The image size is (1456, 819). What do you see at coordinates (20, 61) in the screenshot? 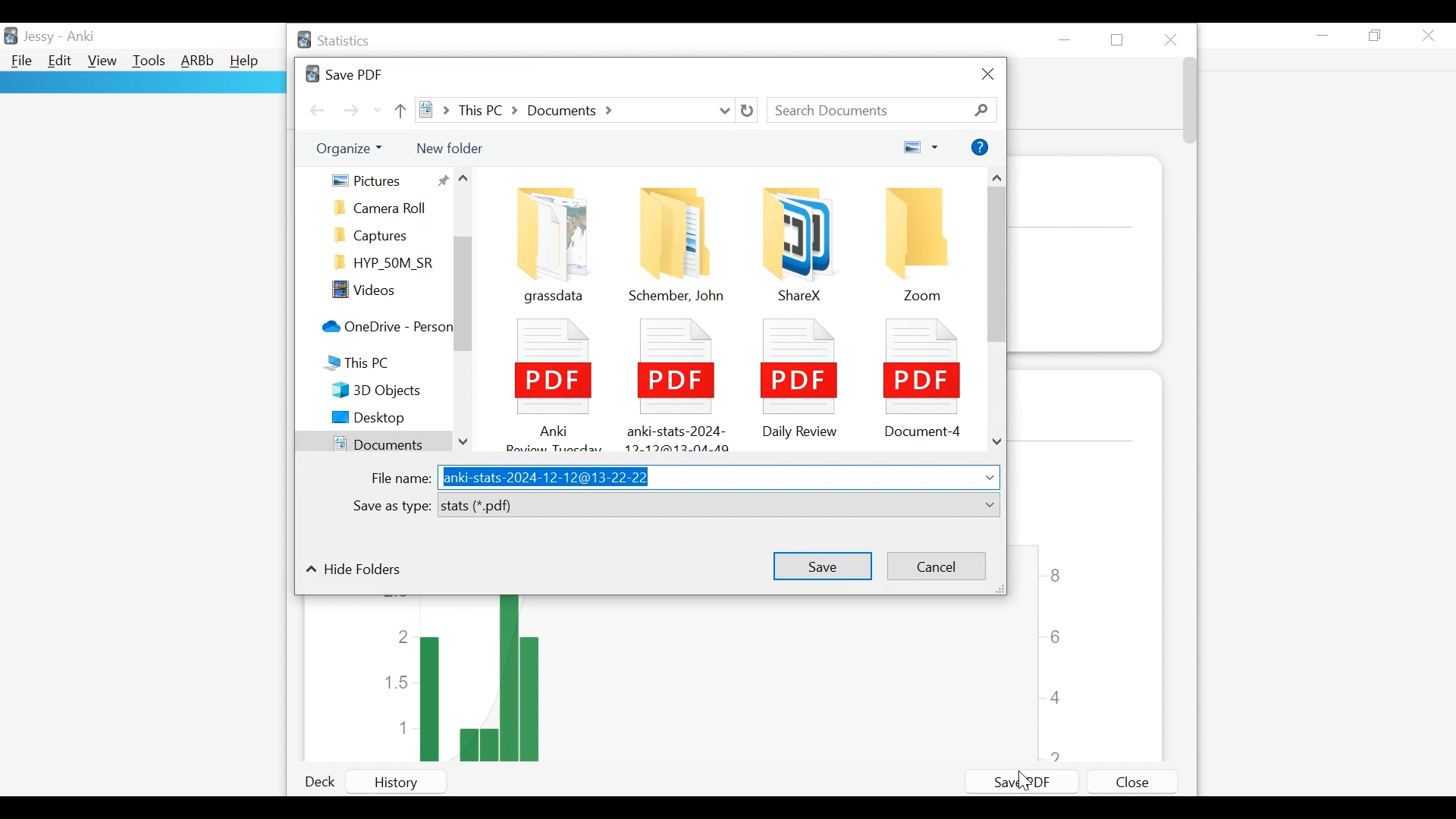
I see `File` at bounding box center [20, 61].